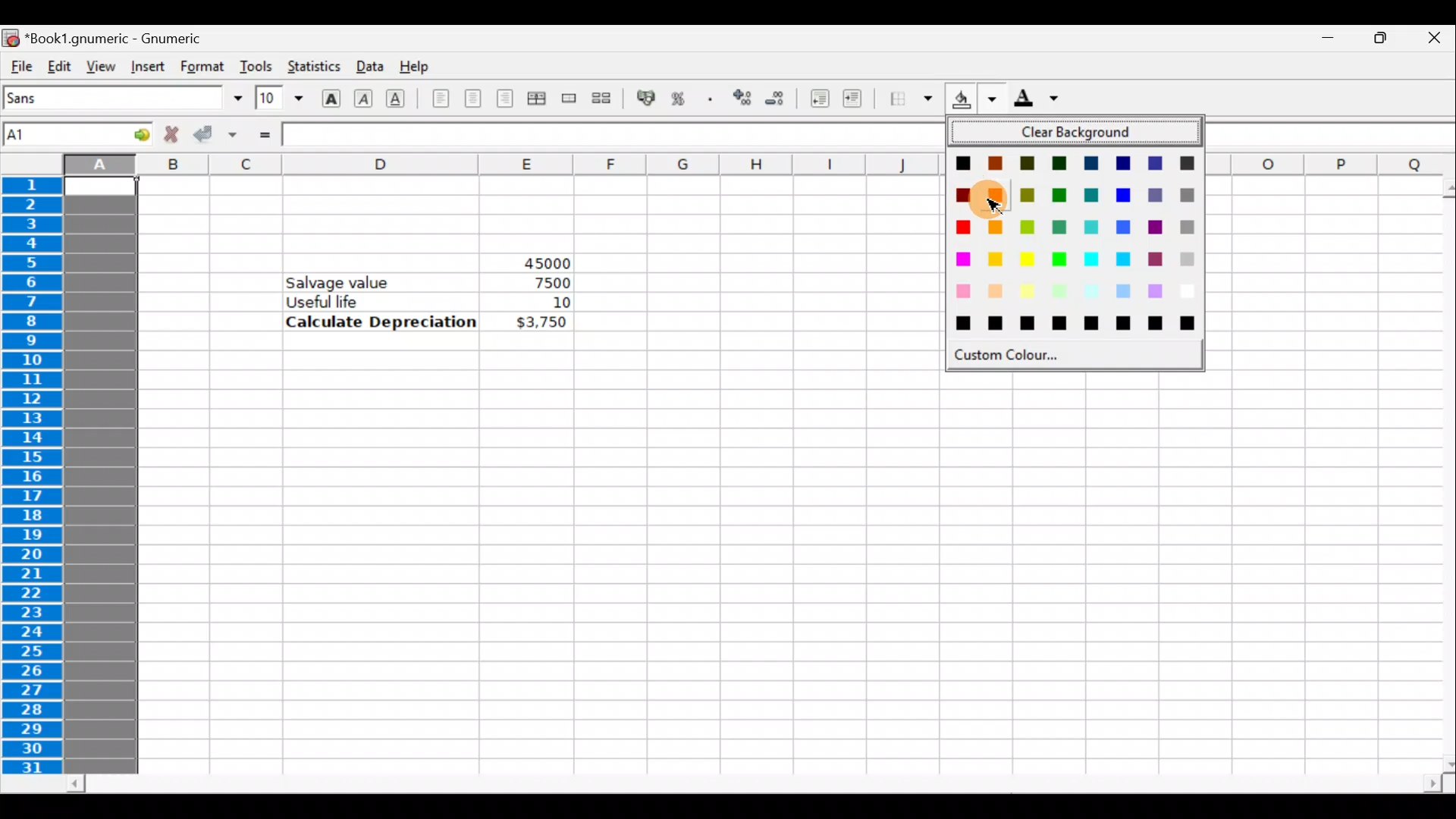 The image size is (1456, 819). I want to click on Foreground, so click(1041, 99).